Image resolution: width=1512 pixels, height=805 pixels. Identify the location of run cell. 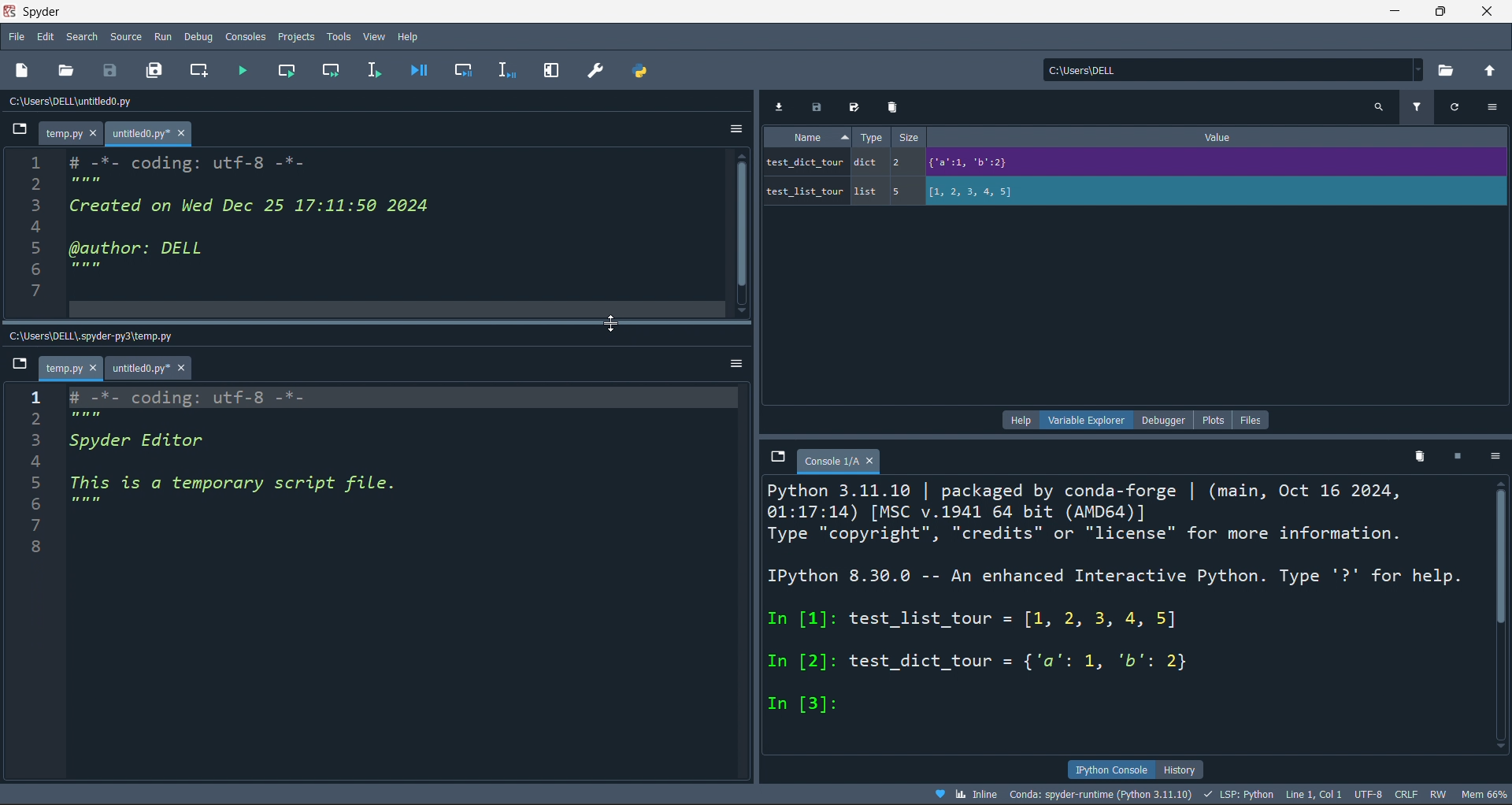
(287, 72).